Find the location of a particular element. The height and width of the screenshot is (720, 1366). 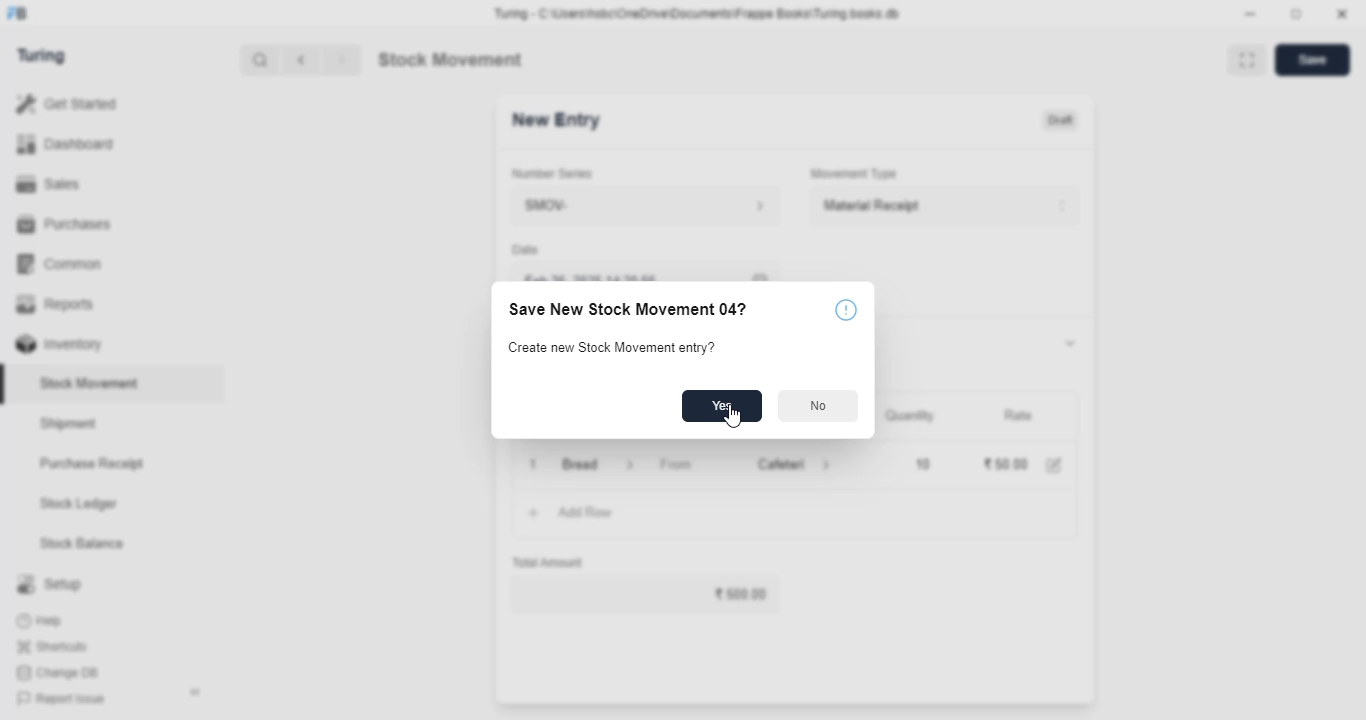

dashboard is located at coordinates (65, 145).